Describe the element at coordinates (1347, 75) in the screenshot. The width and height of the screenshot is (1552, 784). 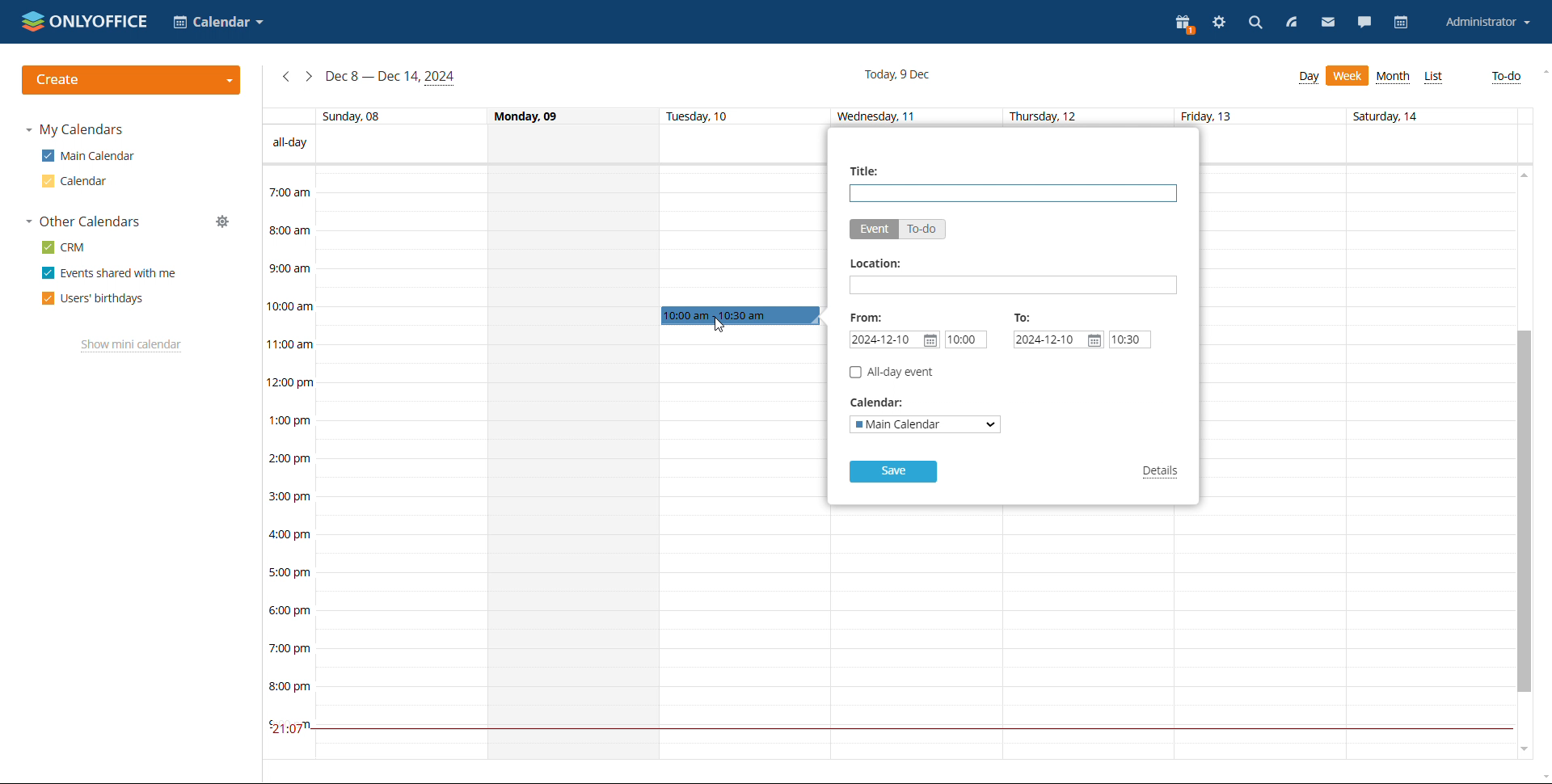
I see `week view` at that location.